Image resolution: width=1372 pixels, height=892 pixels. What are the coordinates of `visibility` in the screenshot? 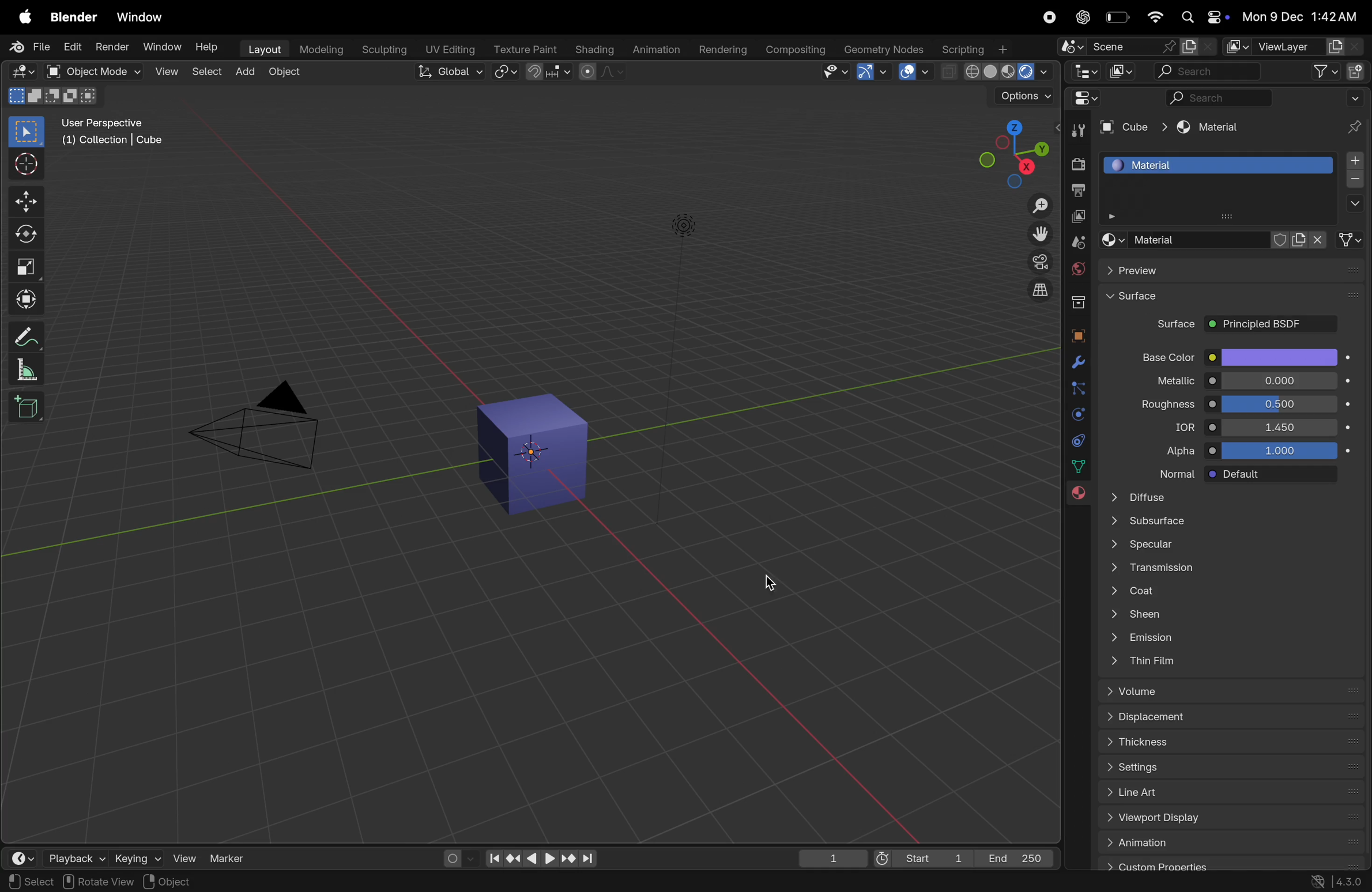 It's located at (835, 71).